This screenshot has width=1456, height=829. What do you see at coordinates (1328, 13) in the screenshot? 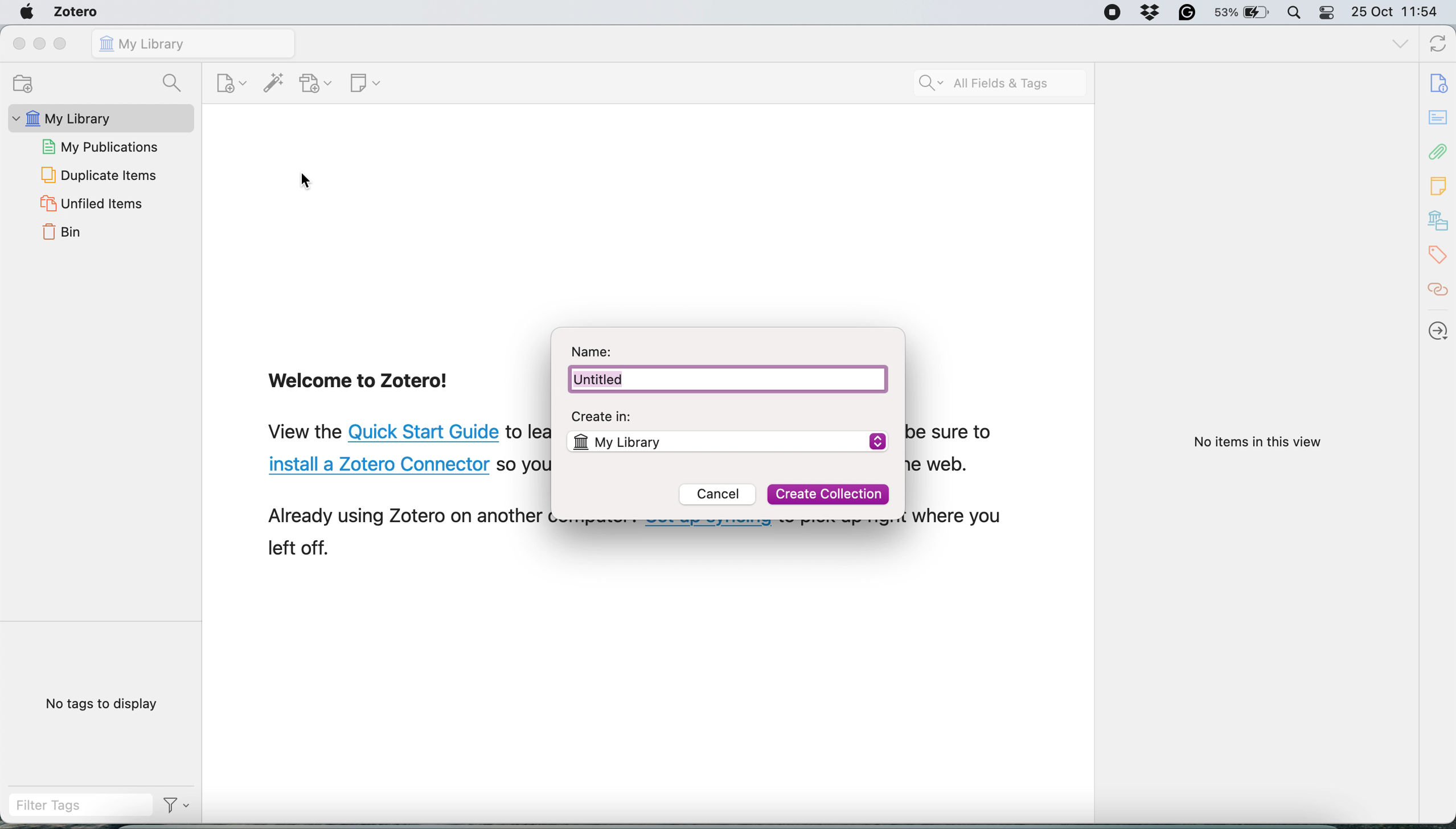
I see `control center` at bounding box center [1328, 13].